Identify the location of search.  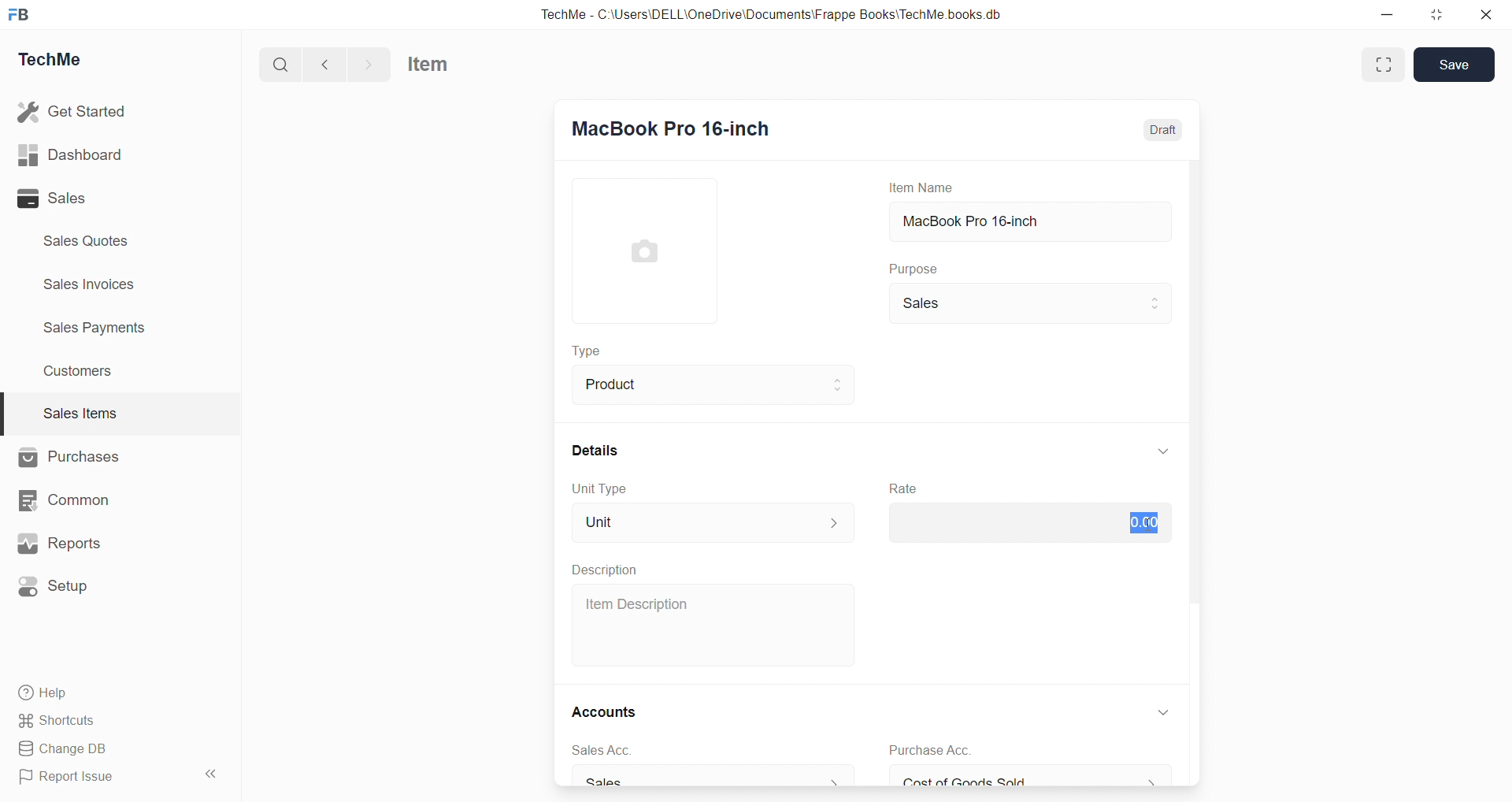
(280, 64).